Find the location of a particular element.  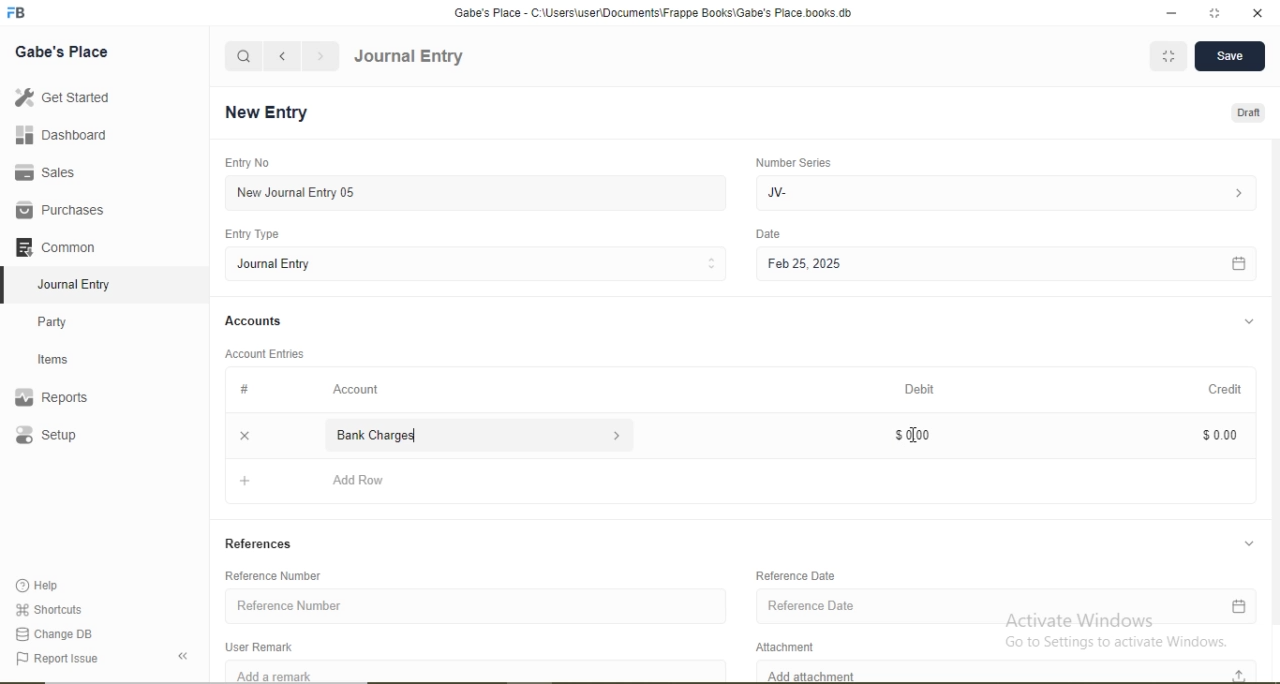

collapse/expand is located at coordinates (1249, 541).